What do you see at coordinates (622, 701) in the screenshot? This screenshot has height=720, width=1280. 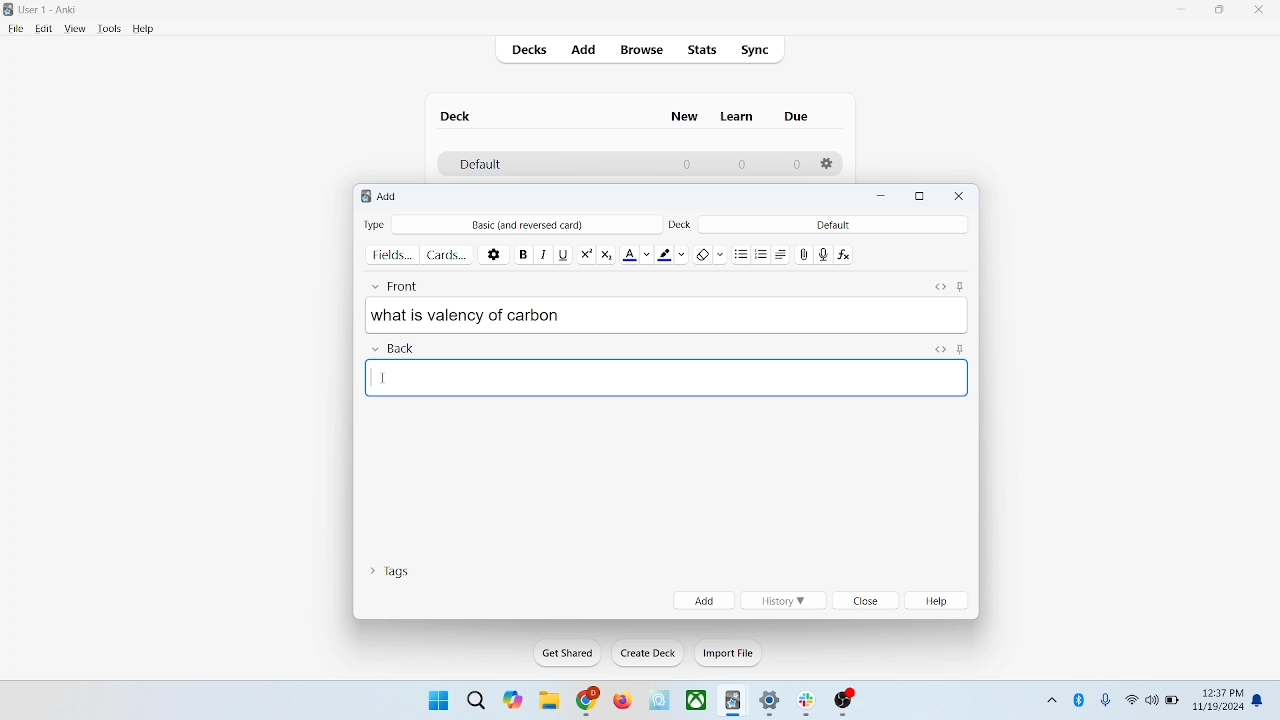 I see `firefox` at bounding box center [622, 701].